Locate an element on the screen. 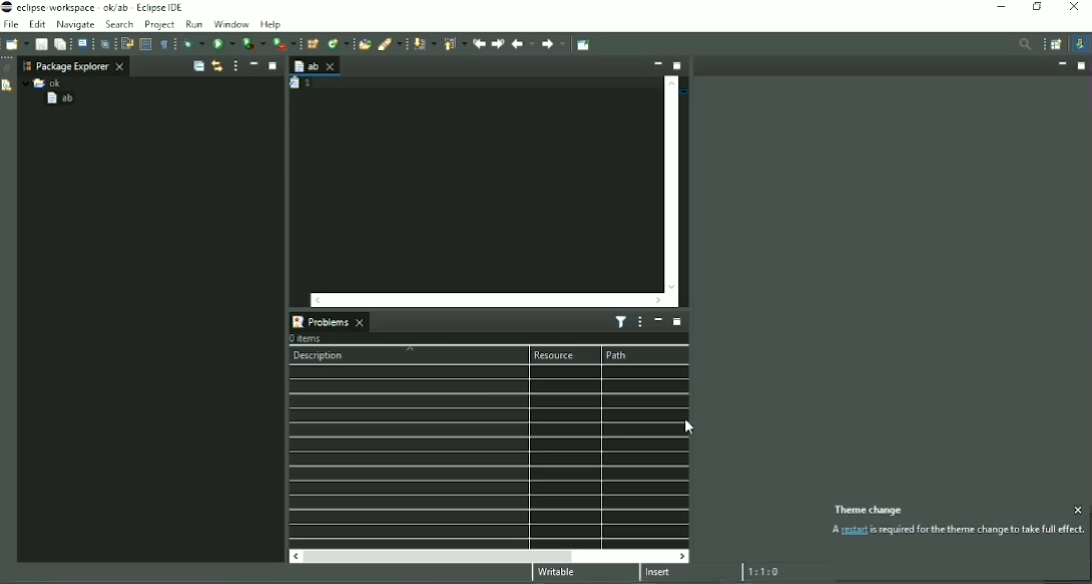 Image resolution: width=1092 pixels, height=584 pixels. Back is located at coordinates (523, 43).